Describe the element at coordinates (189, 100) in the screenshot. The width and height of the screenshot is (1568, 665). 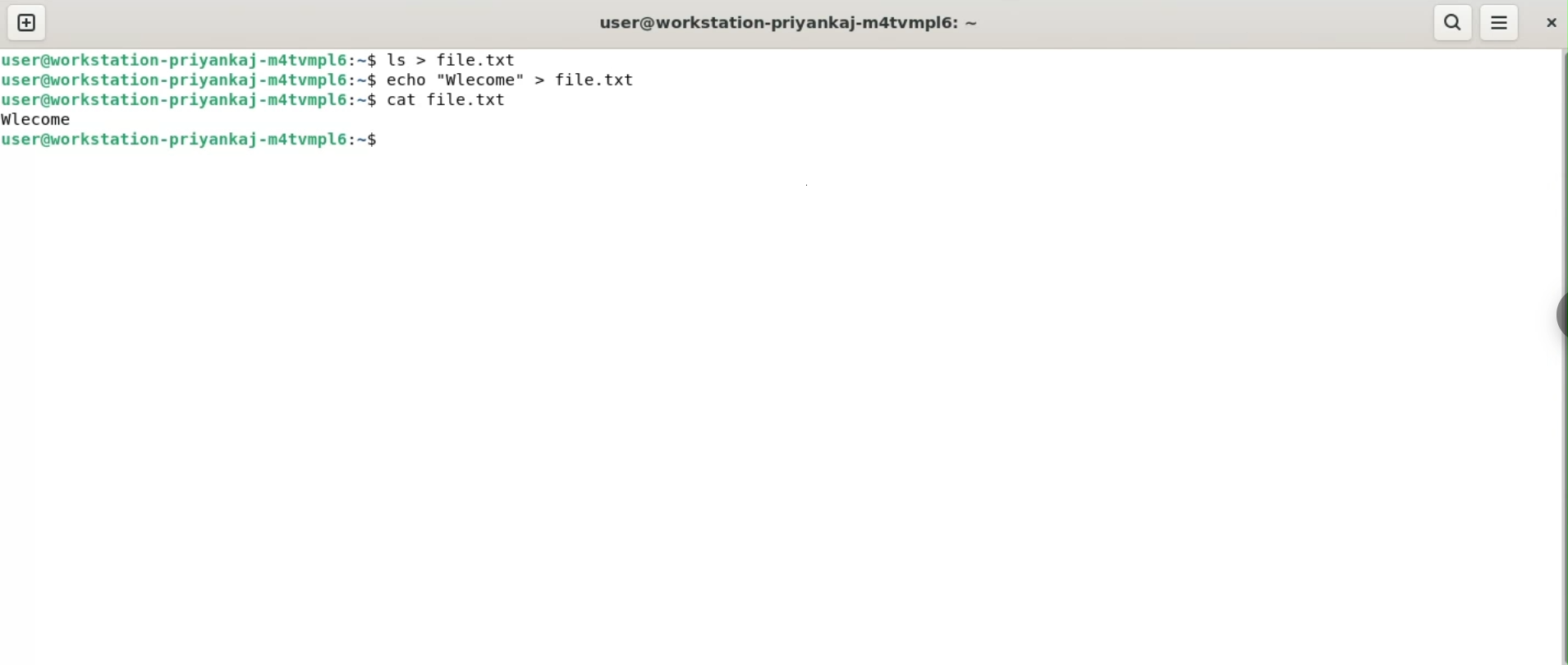
I see `user@workstation-priyankaj-m4tvmpl6: ~$` at that location.